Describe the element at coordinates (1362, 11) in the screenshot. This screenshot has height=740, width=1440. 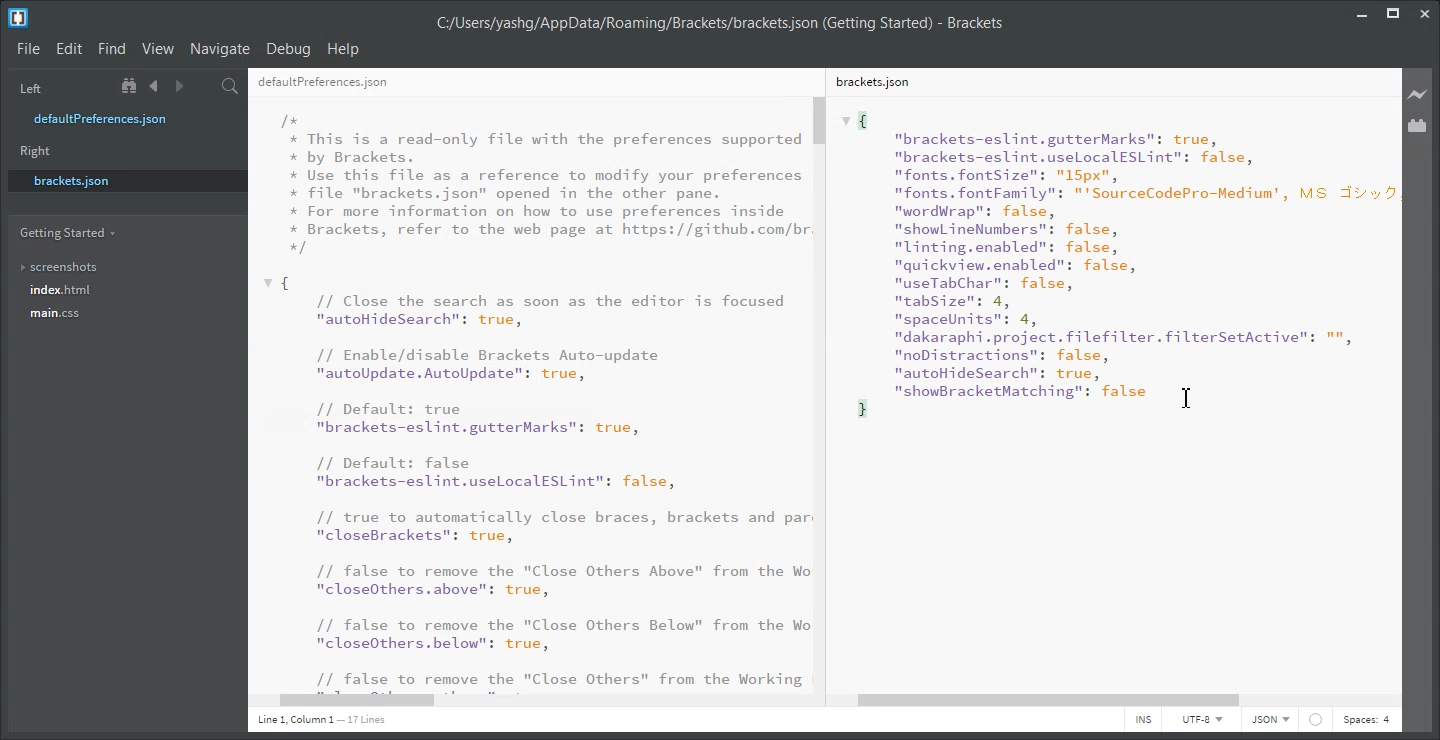
I see `Minimize` at that location.